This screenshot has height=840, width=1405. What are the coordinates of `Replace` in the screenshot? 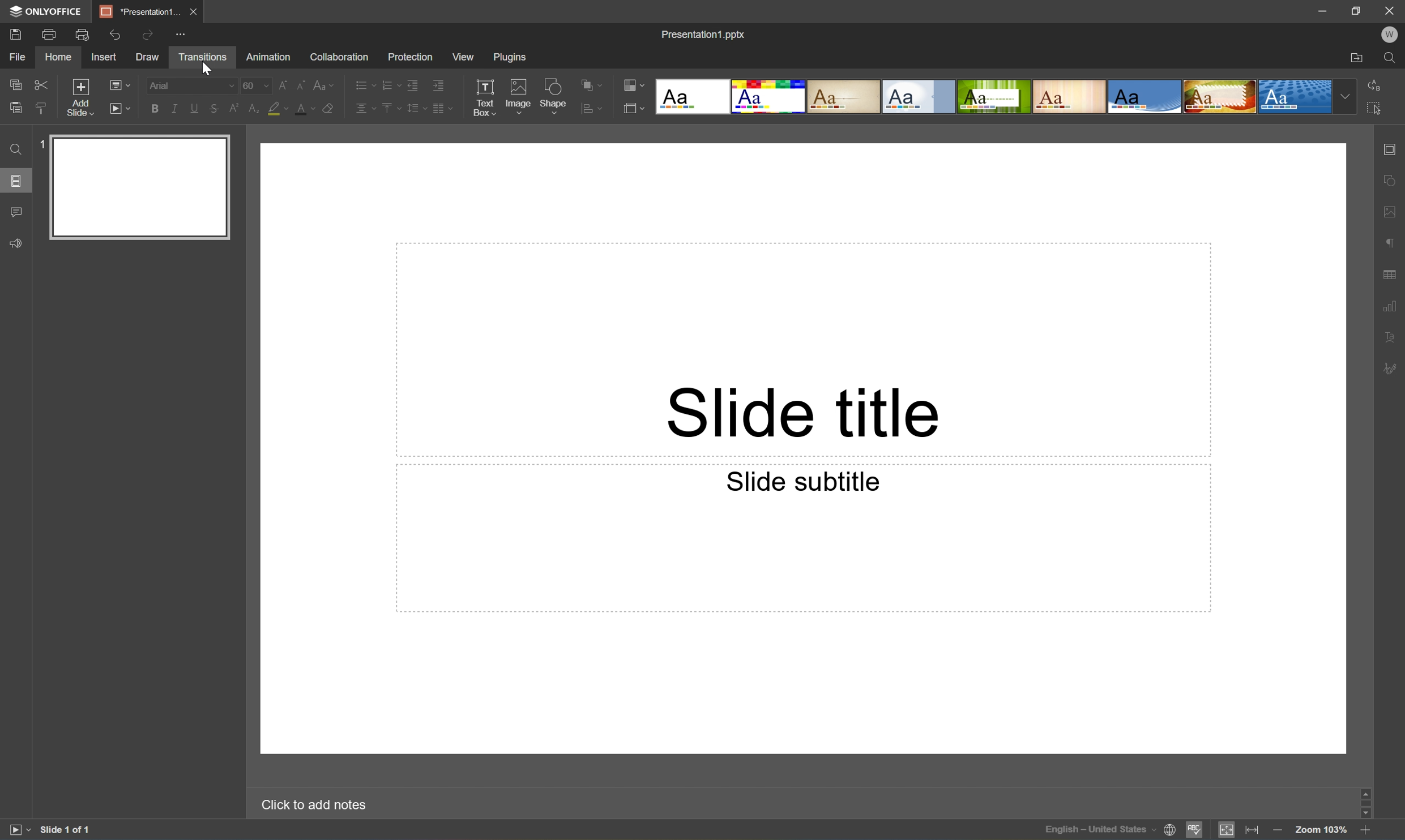 It's located at (1375, 83).